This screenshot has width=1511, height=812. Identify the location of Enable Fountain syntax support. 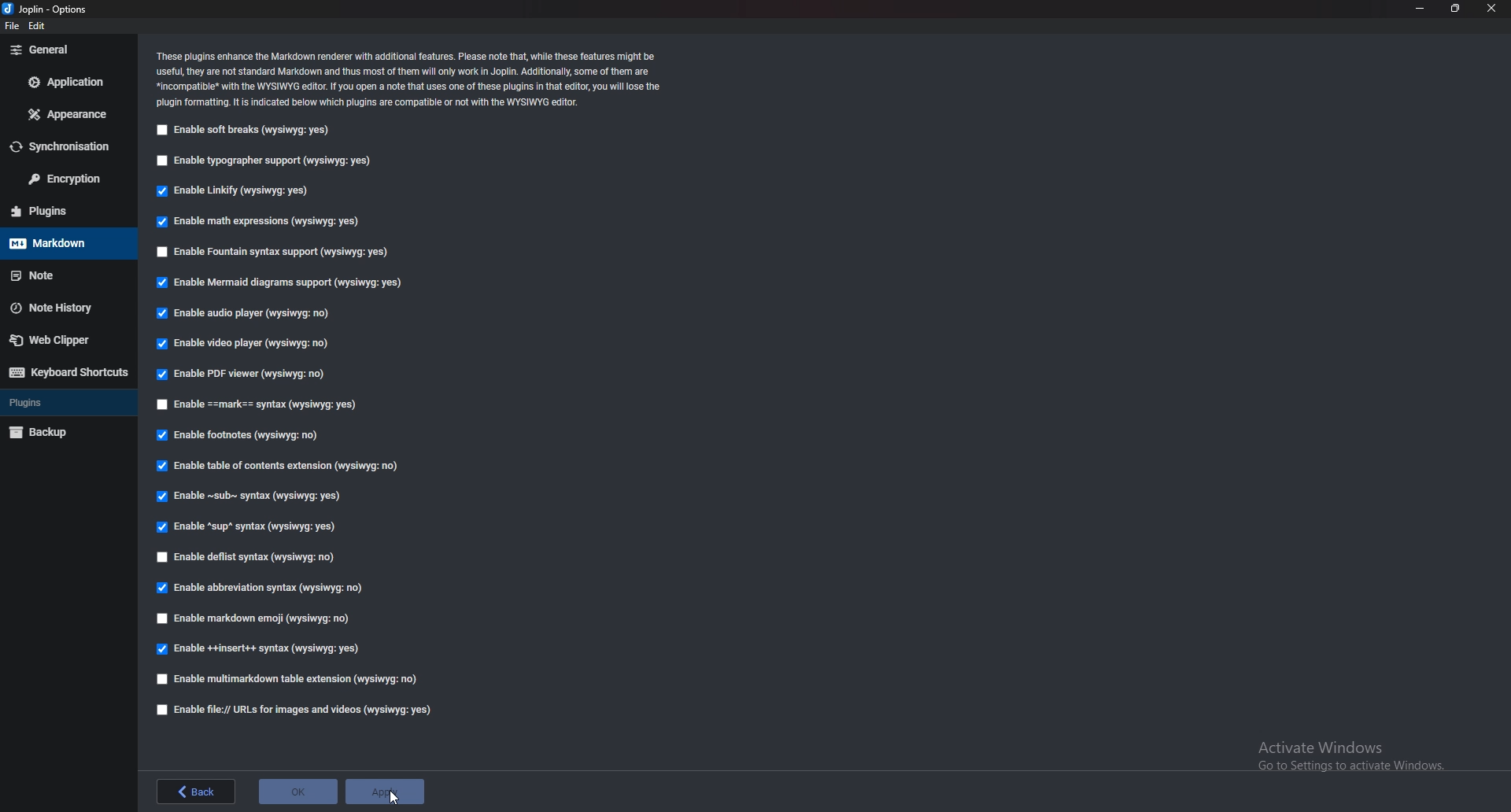
(278, 252).